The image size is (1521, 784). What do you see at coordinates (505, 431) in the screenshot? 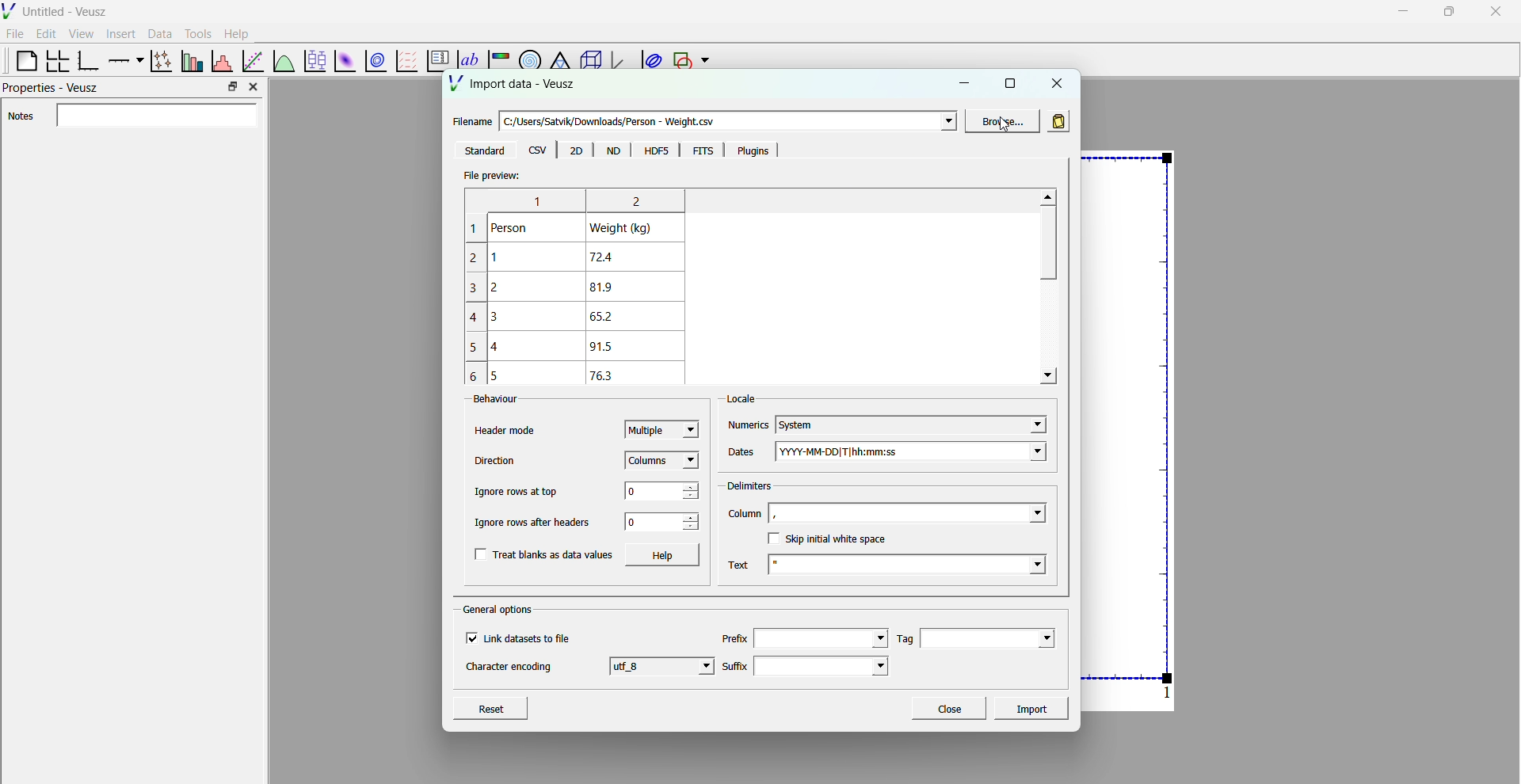
I see `Header mode` at bounding box center [505, 431].